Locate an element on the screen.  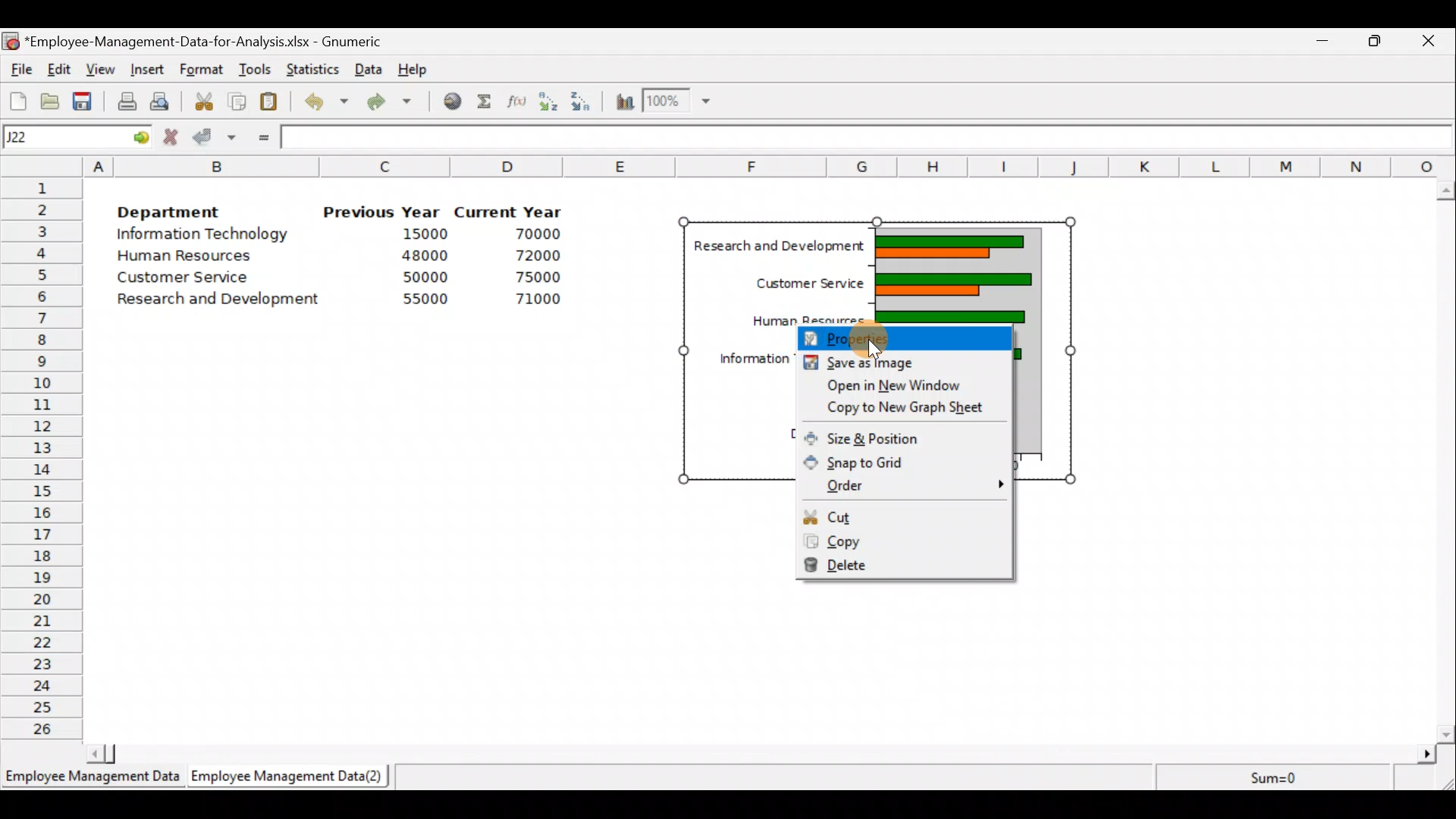
| Research and Development is located at coordinates (777, 247).